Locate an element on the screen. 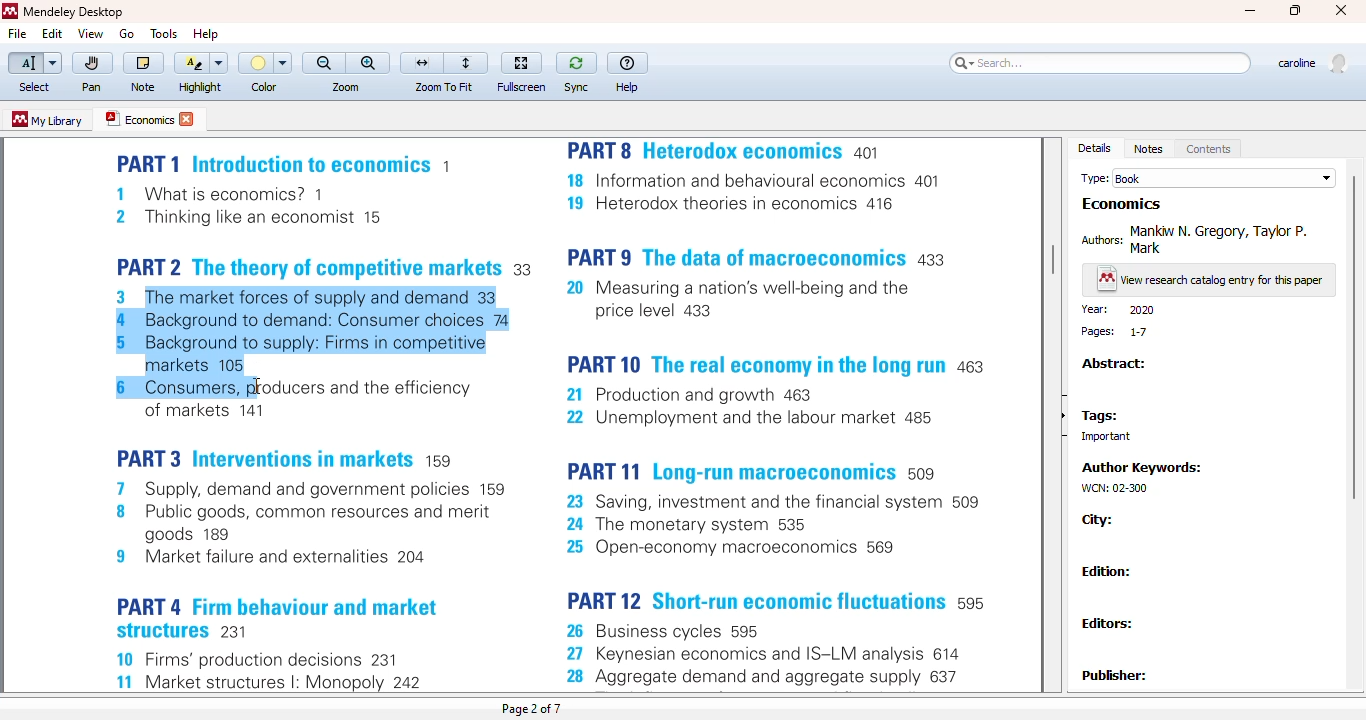 Image resolution: width=1366 pixels, height=720 pixels. note is located at coordinates (143, 87).